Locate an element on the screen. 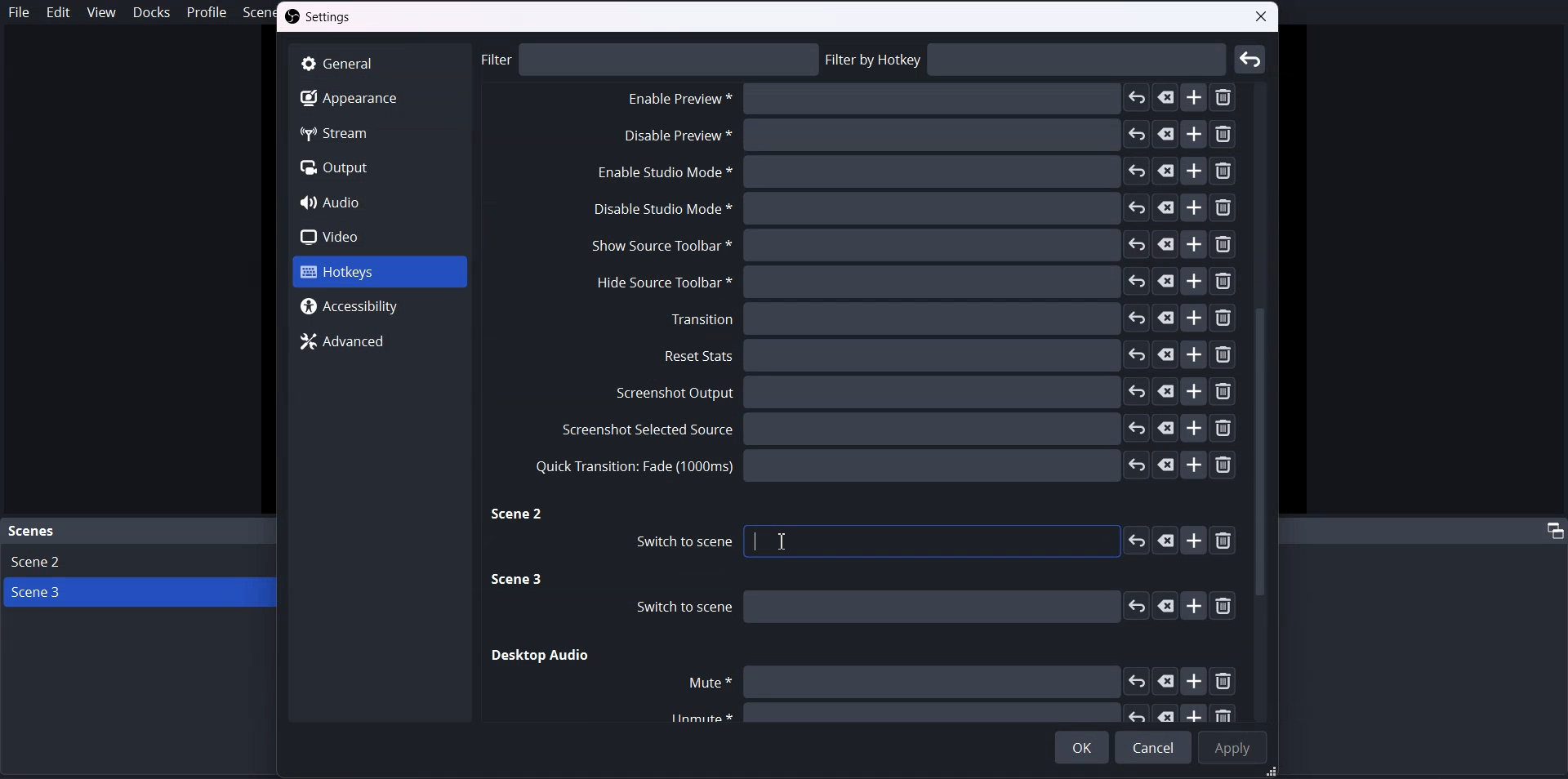 This screenshot has height=779, width=1568. adjust tab is located at coordinates (1552, 530).